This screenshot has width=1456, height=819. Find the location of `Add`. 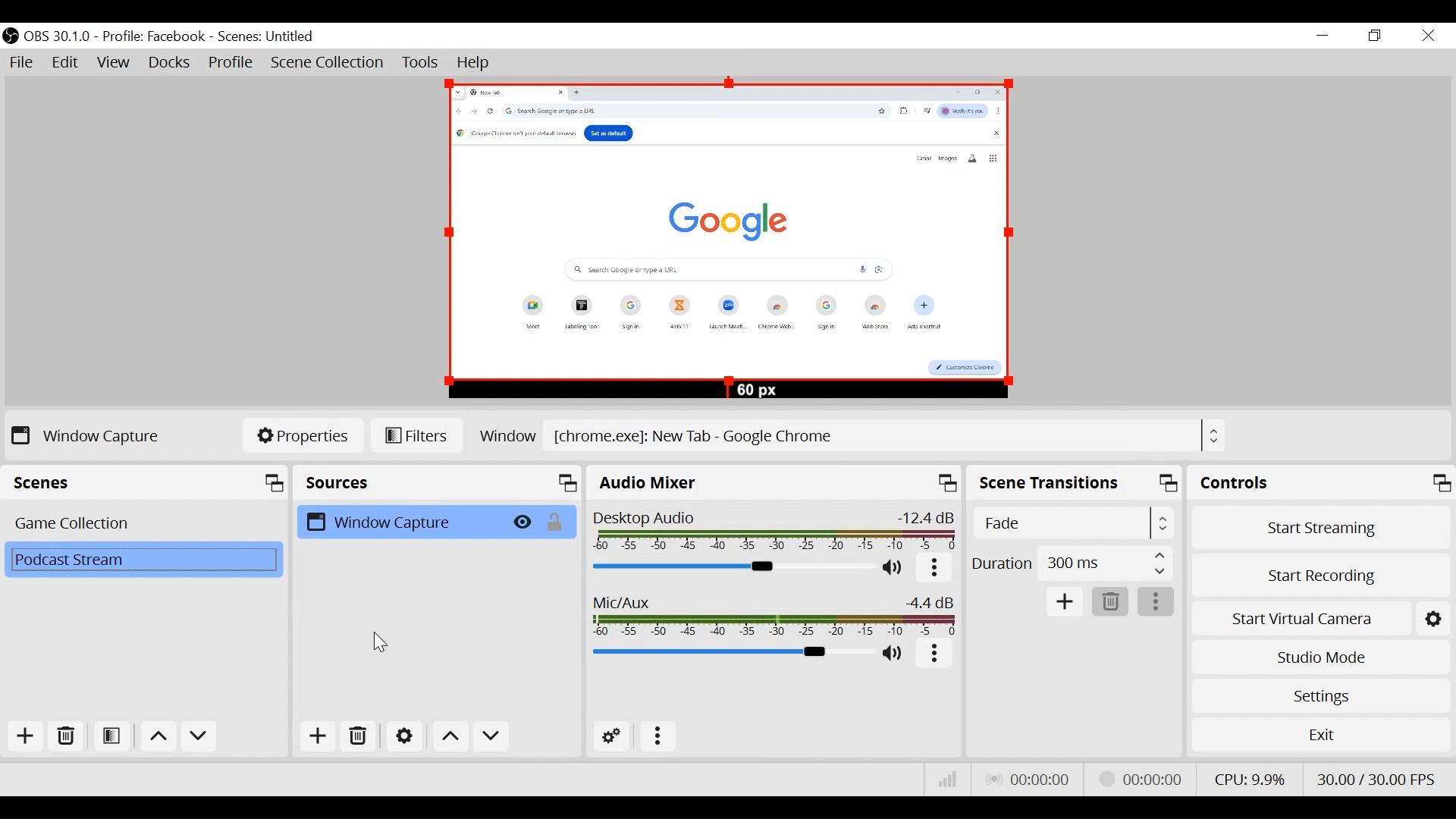

Add is located at coordinates (318, 736).